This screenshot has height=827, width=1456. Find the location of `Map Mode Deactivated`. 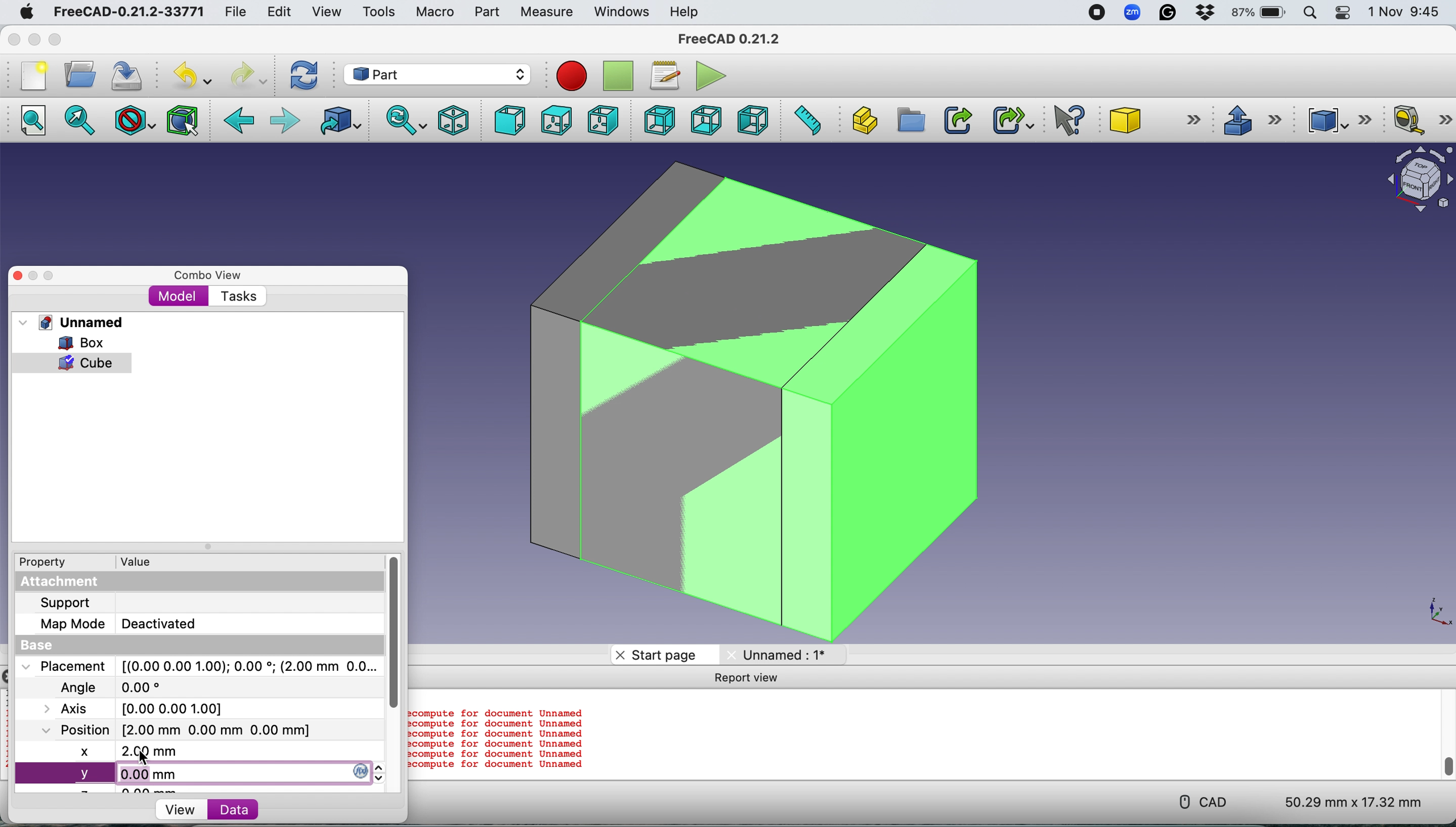

Map Mode Deactivated is located at coordinates (118, 624).